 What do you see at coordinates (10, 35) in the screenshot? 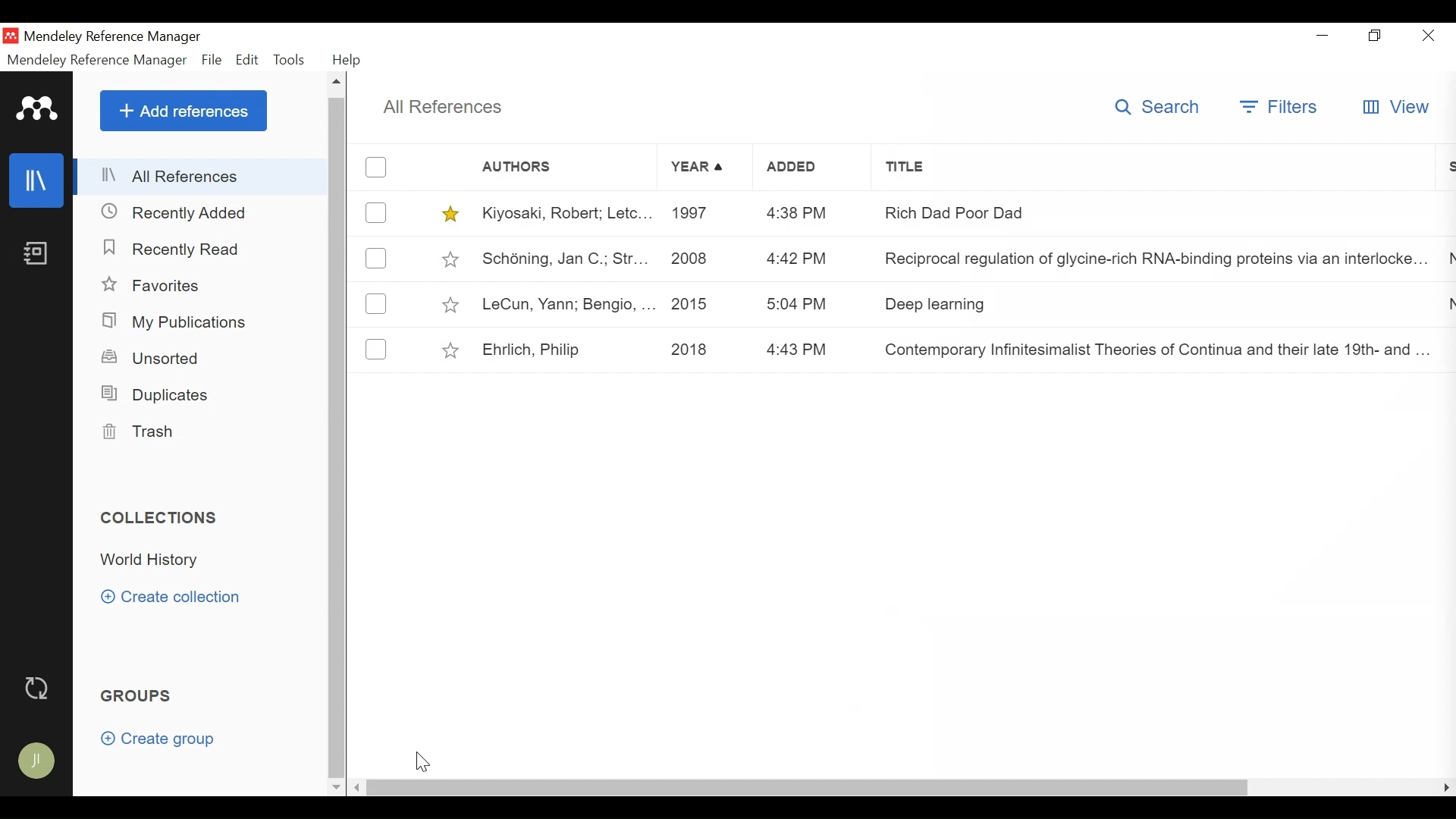
I see `Mendeley Desktop icon` at bounding box center [10, 35].